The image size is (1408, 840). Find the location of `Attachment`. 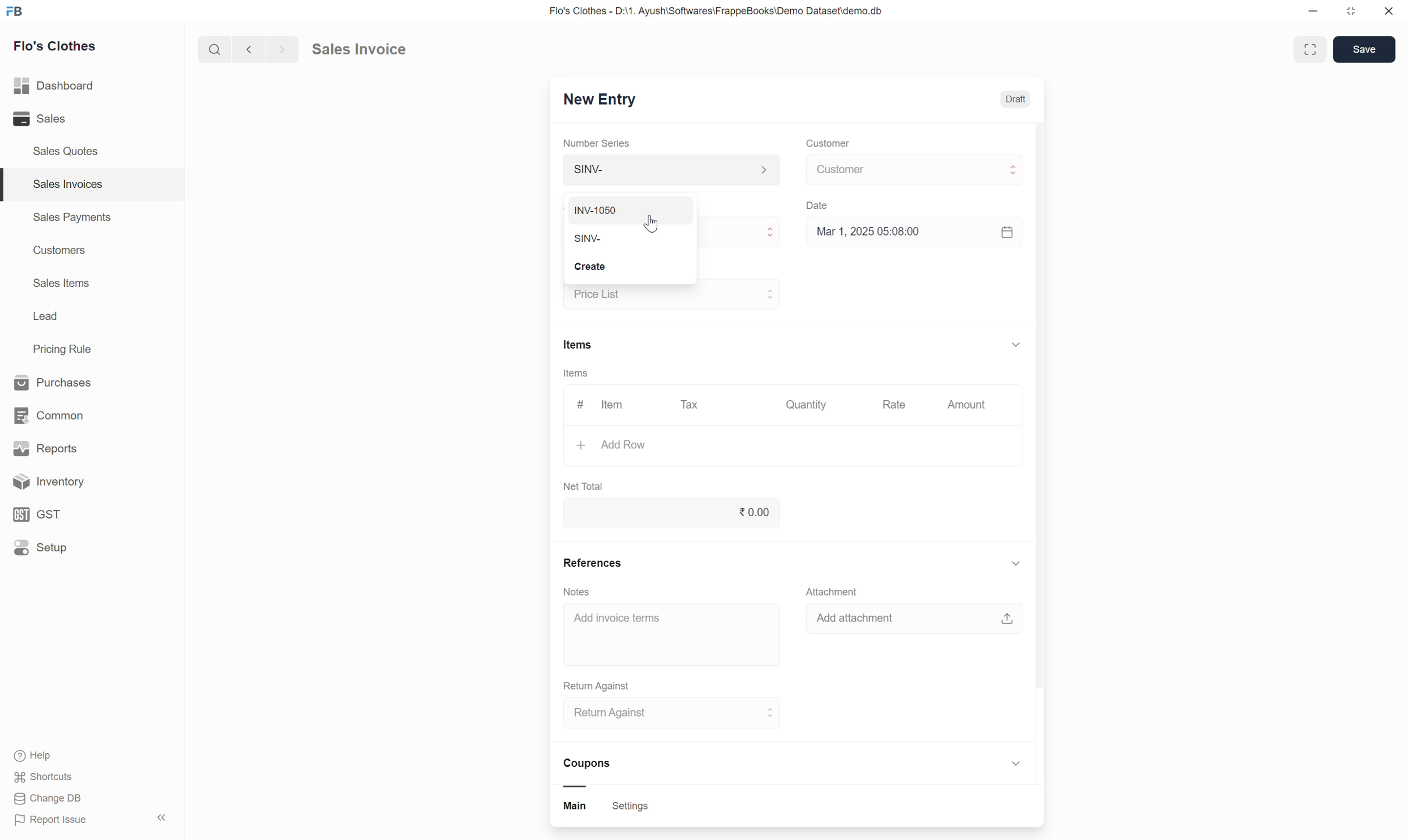

Attachment is located at coordinates (836, 592).